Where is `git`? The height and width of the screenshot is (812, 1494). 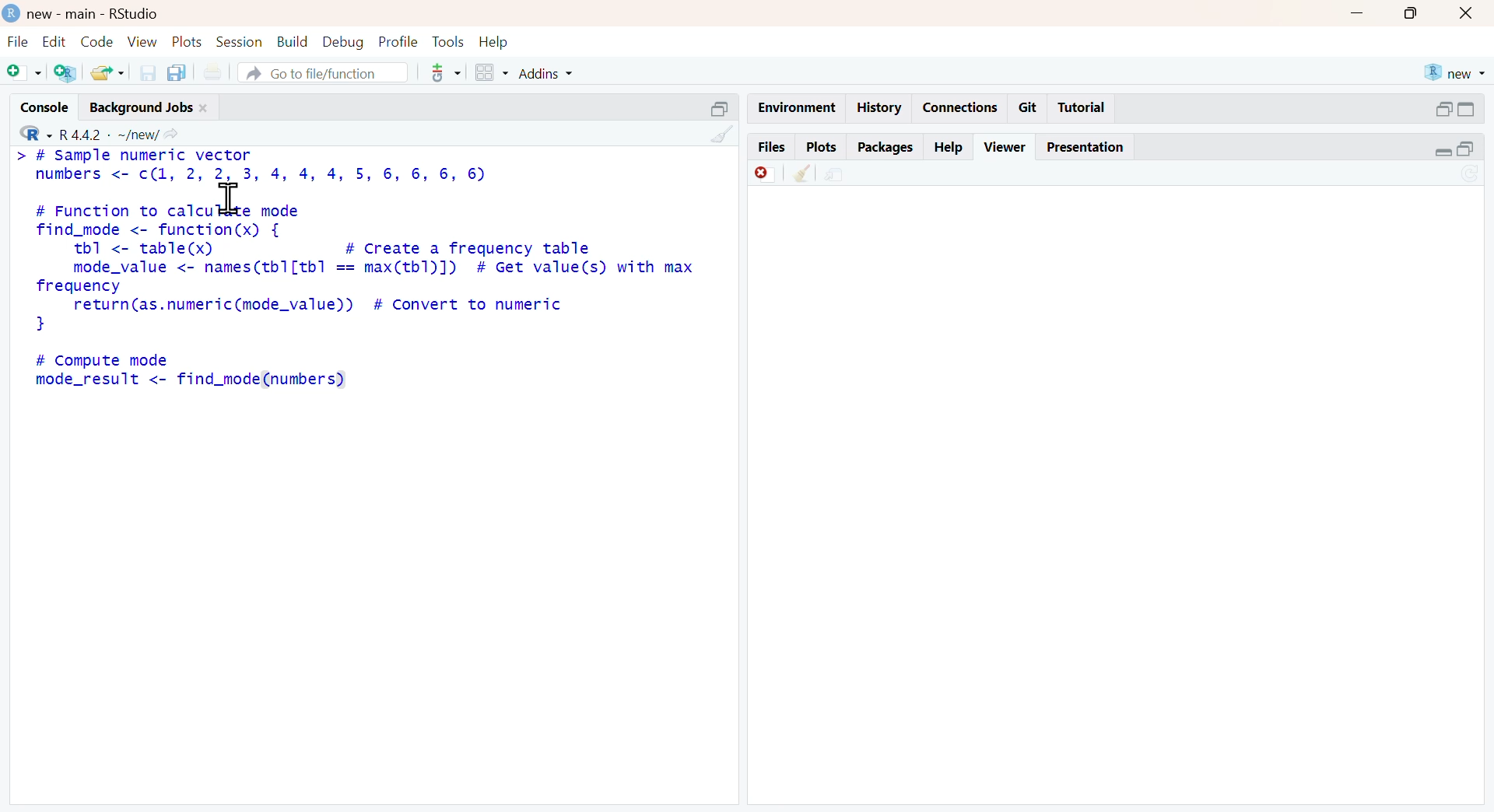 git is located at coordinates (1029, 107).